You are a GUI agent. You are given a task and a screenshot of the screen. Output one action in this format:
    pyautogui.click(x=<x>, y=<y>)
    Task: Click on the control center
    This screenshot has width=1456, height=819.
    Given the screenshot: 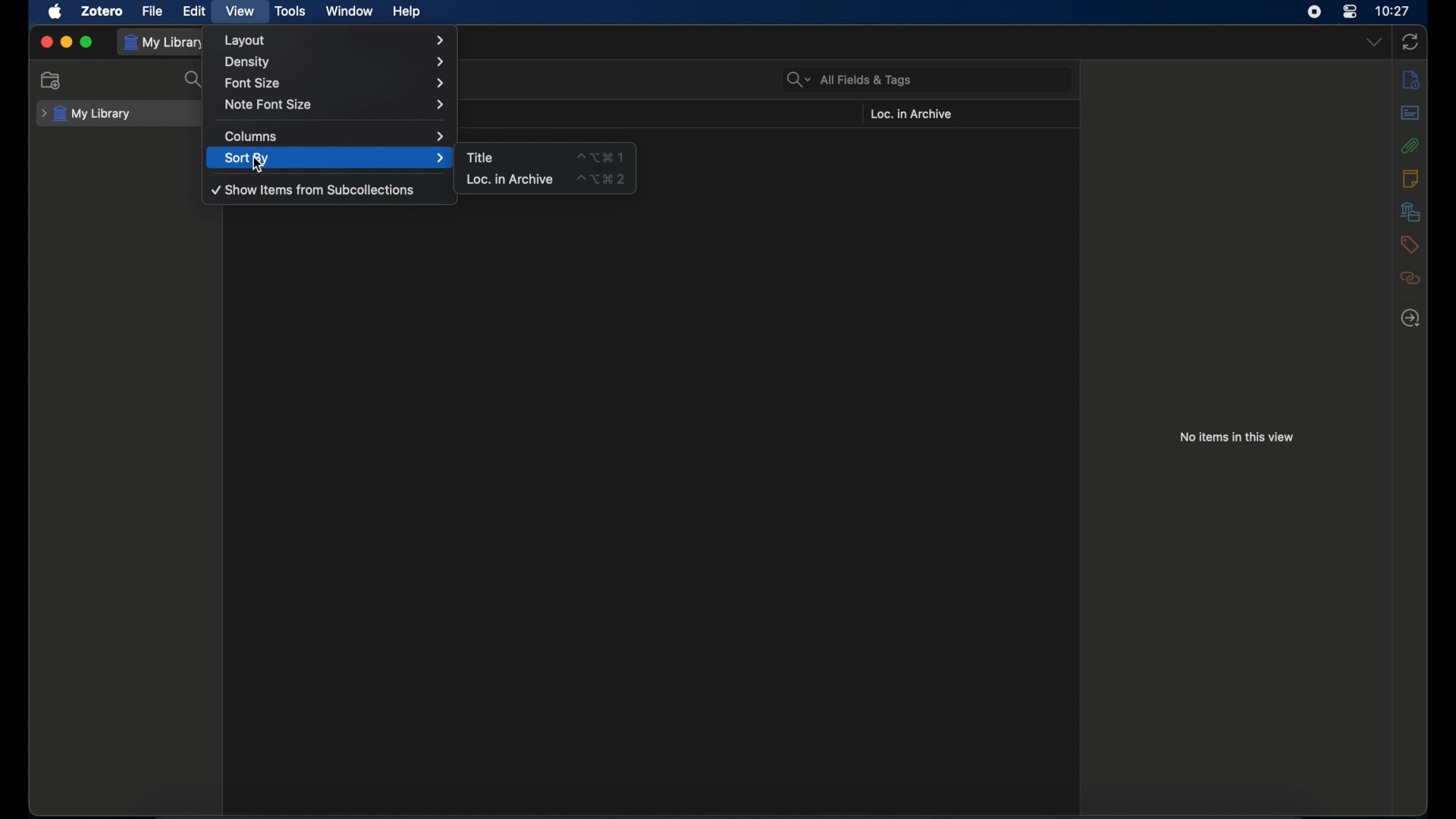 What is the action you would take?
    pyautogui.click(x=1350, y=12)
    